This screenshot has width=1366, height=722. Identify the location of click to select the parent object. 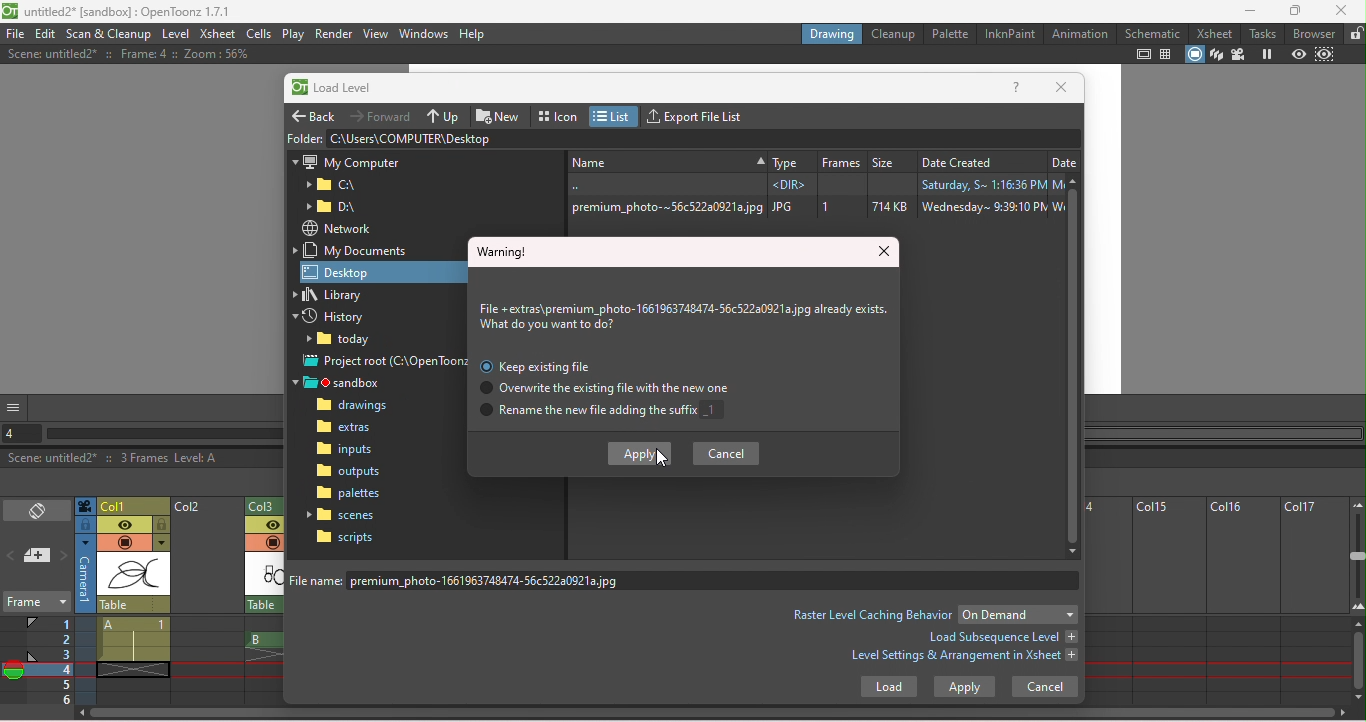
(134, 605).